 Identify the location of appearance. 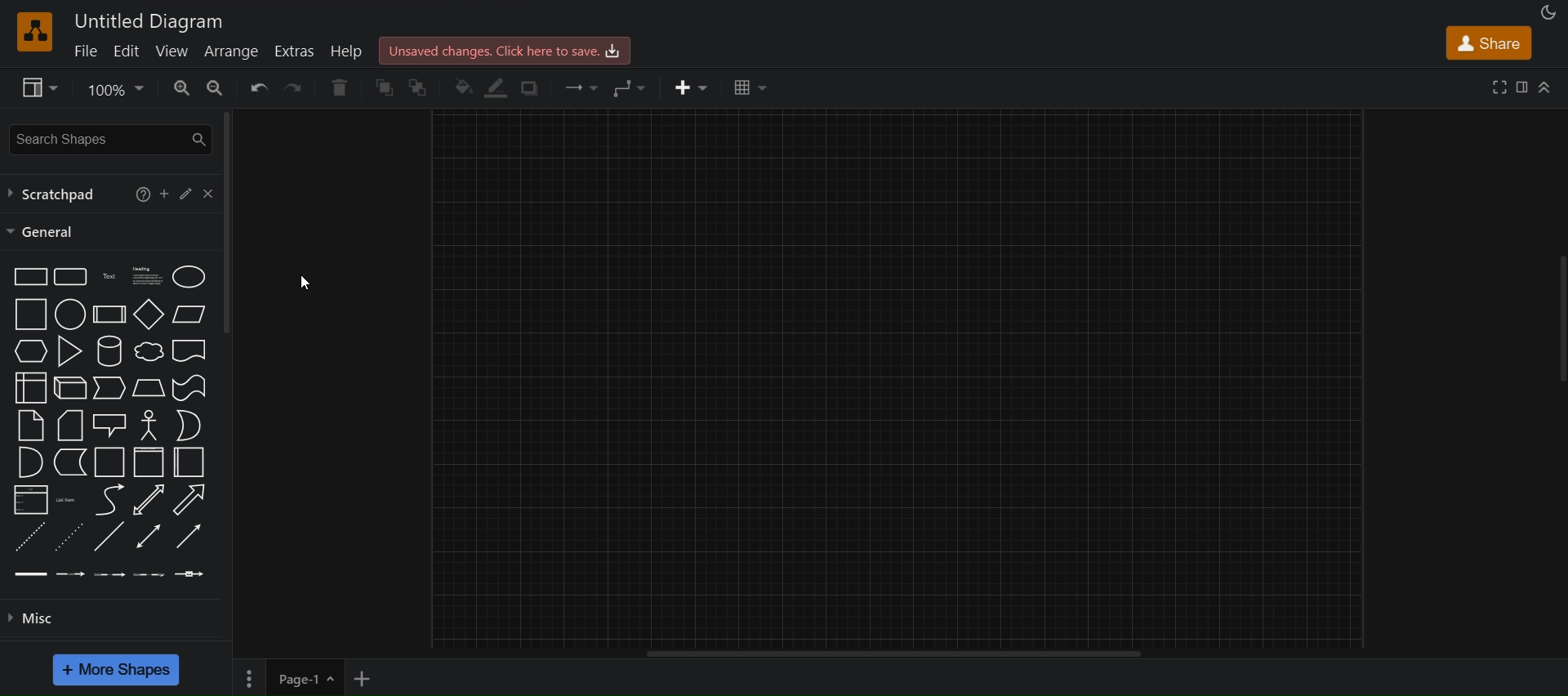
(1548, 11).